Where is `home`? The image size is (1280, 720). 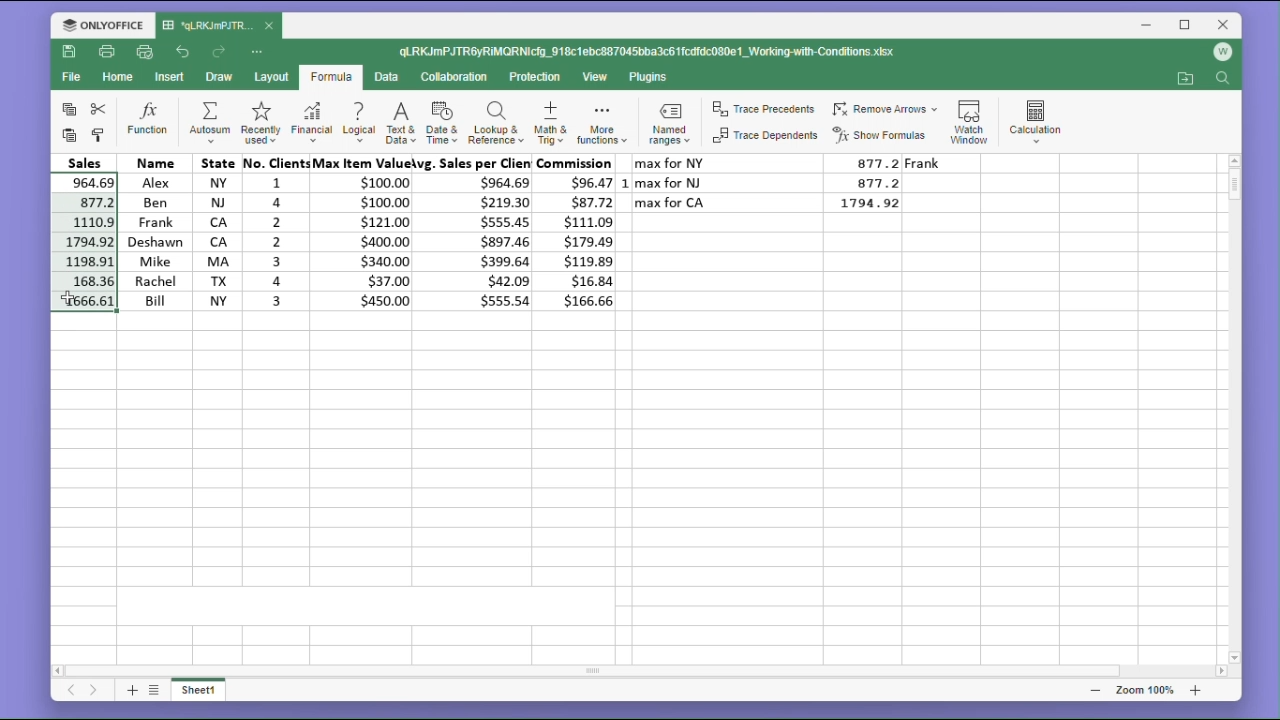 home is located at coordinates (120, 82).